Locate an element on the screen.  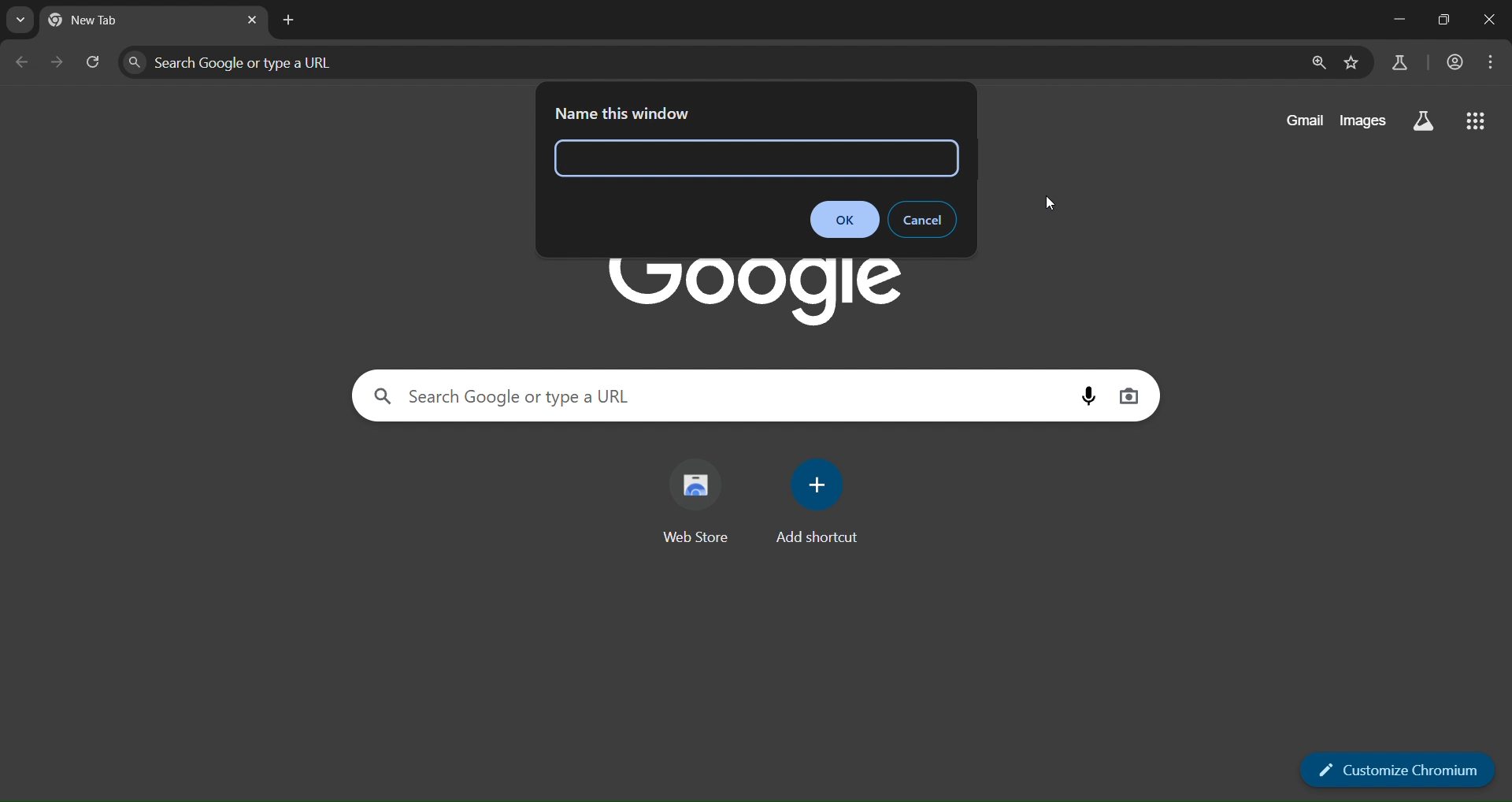
Search Google or type a URL is located at coordinates (500, 395).